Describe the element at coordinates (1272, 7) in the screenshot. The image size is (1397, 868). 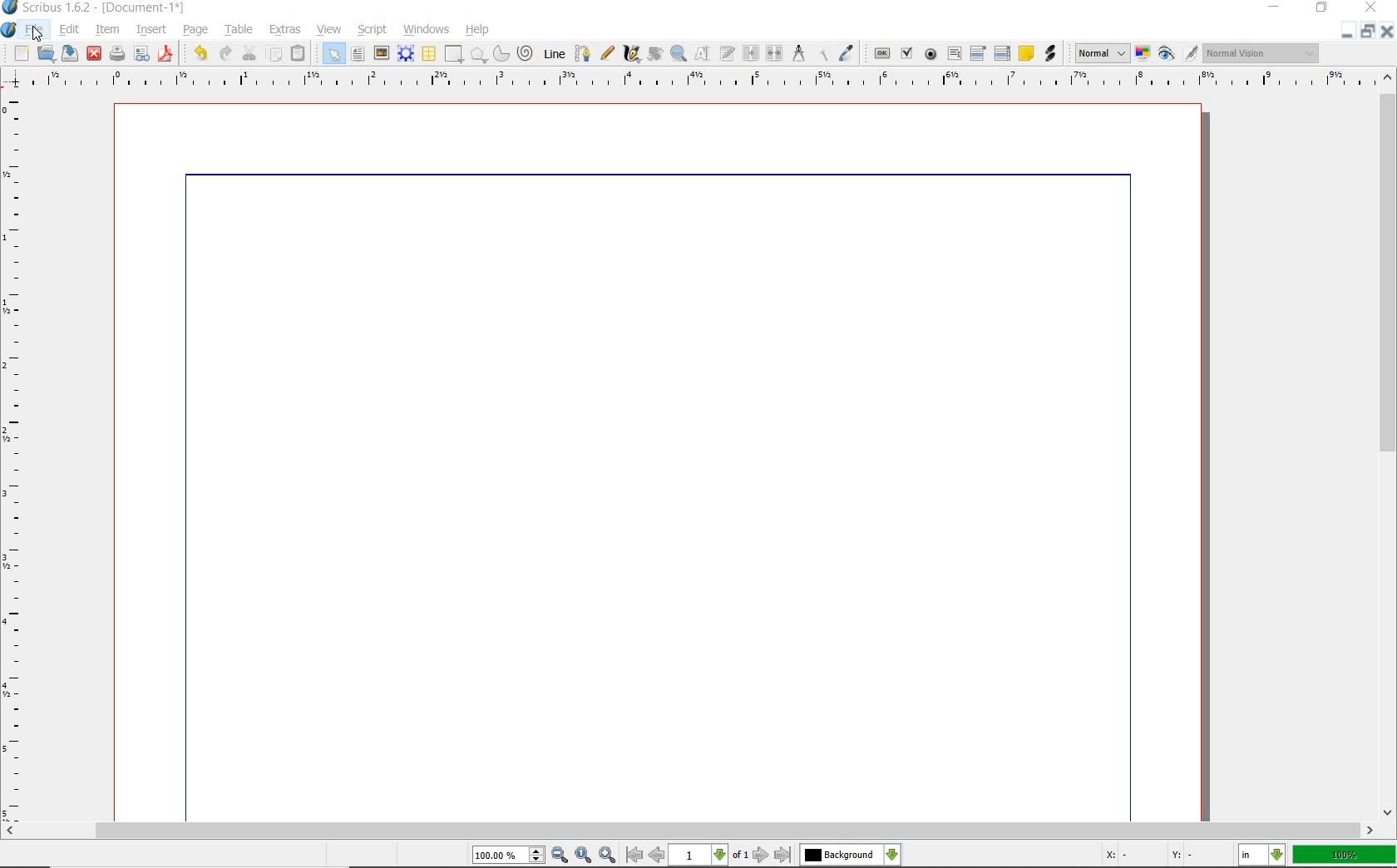
I see `minimize` at that location.